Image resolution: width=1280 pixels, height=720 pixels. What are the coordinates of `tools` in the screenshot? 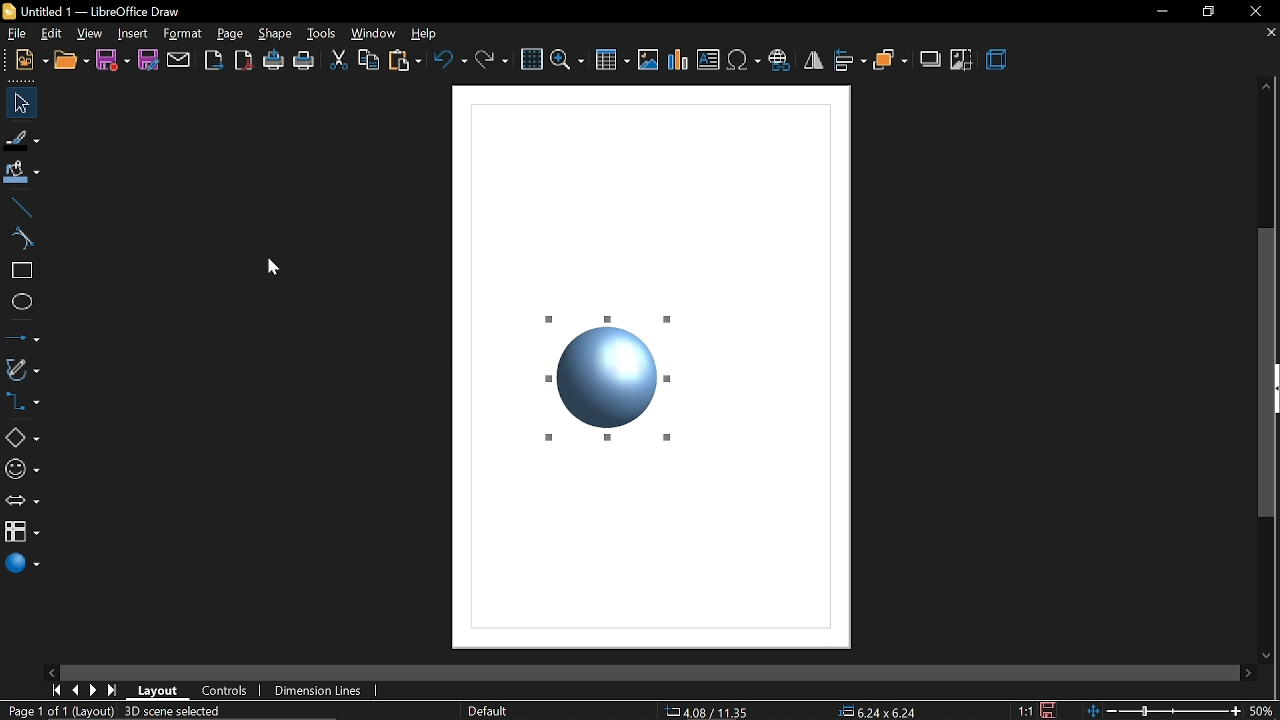 It's located at (322, 34).